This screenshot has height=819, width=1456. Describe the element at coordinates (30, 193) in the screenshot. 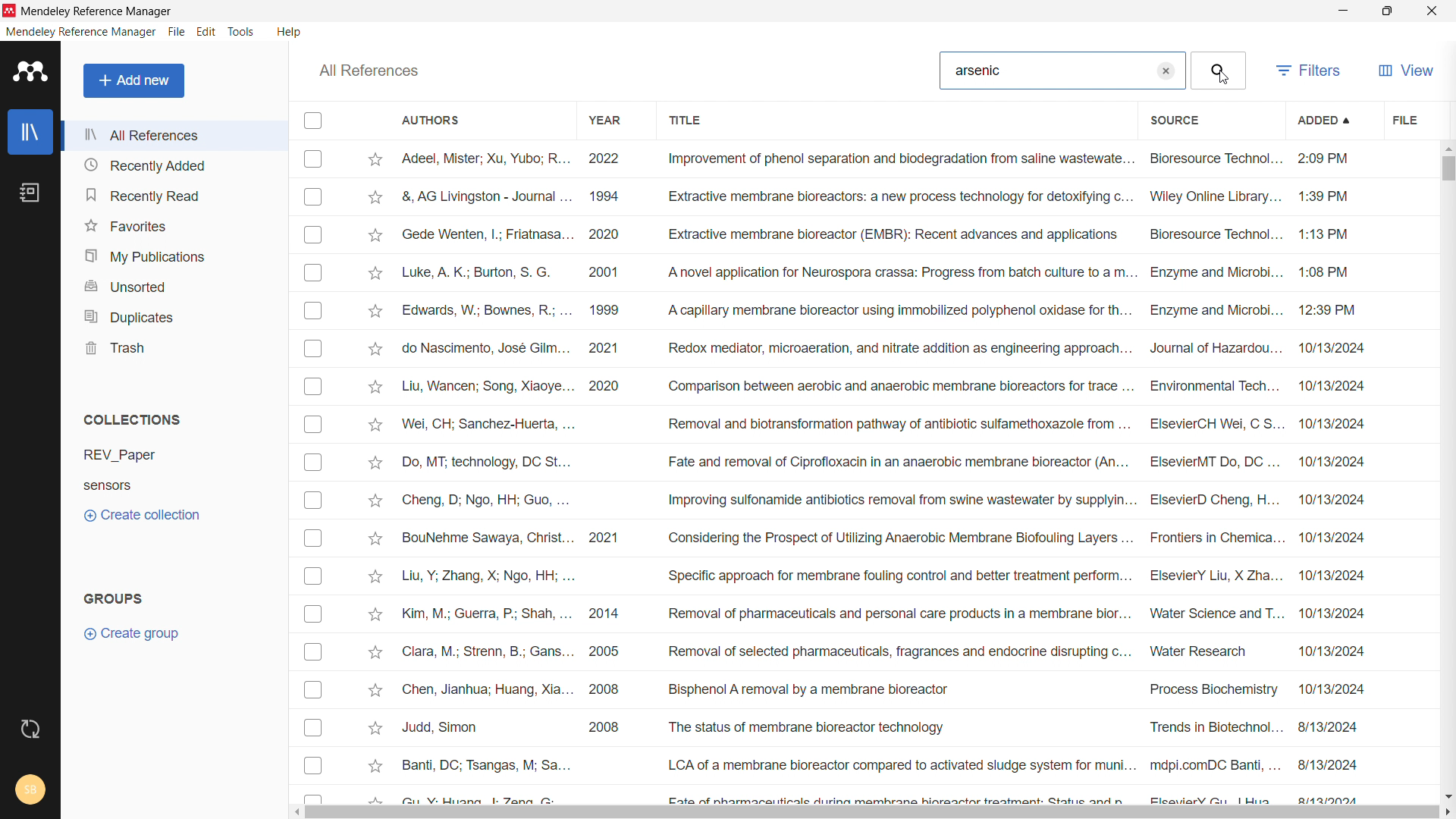

I see `notebook` at that location.